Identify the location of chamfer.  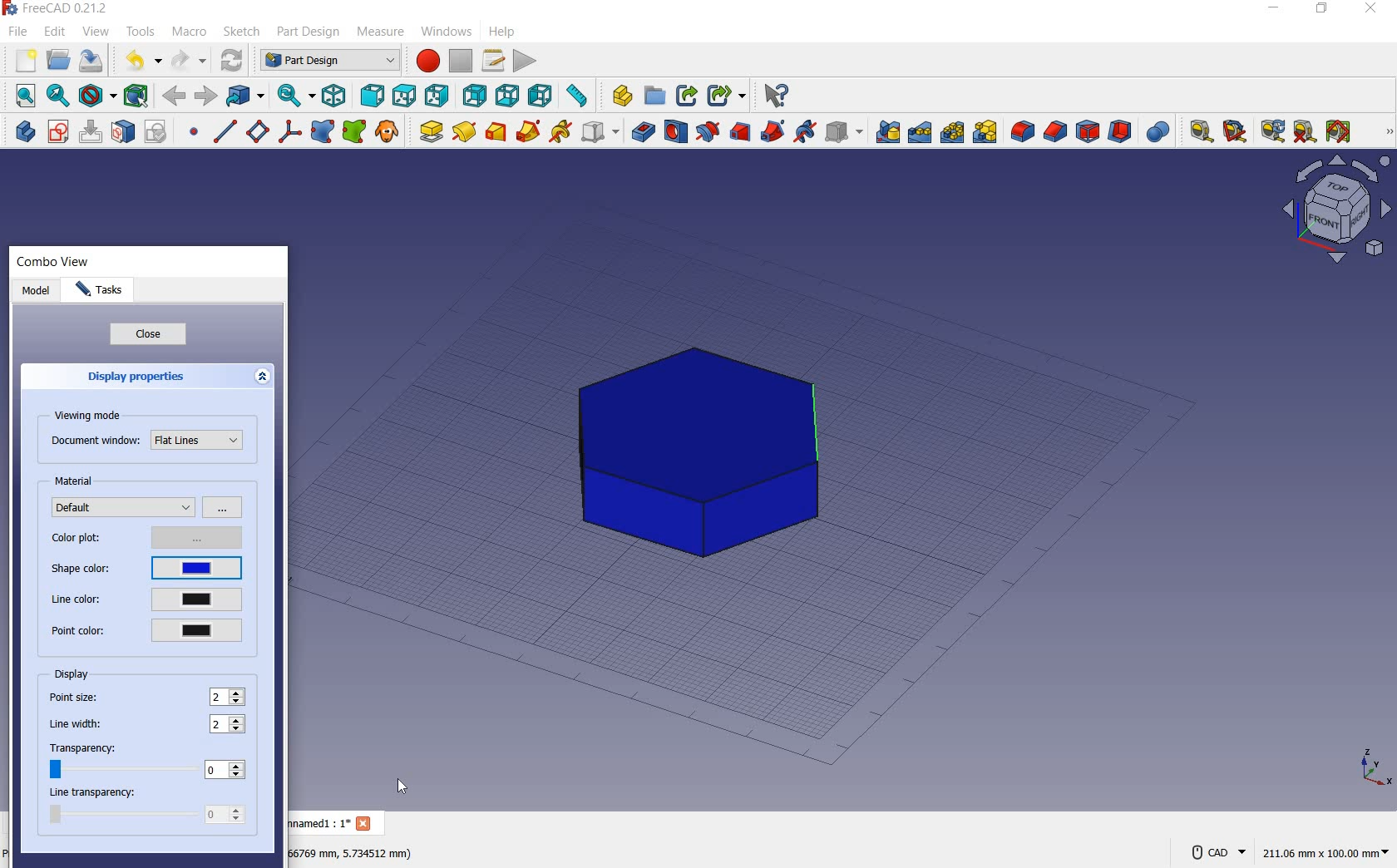
(1055, 133).